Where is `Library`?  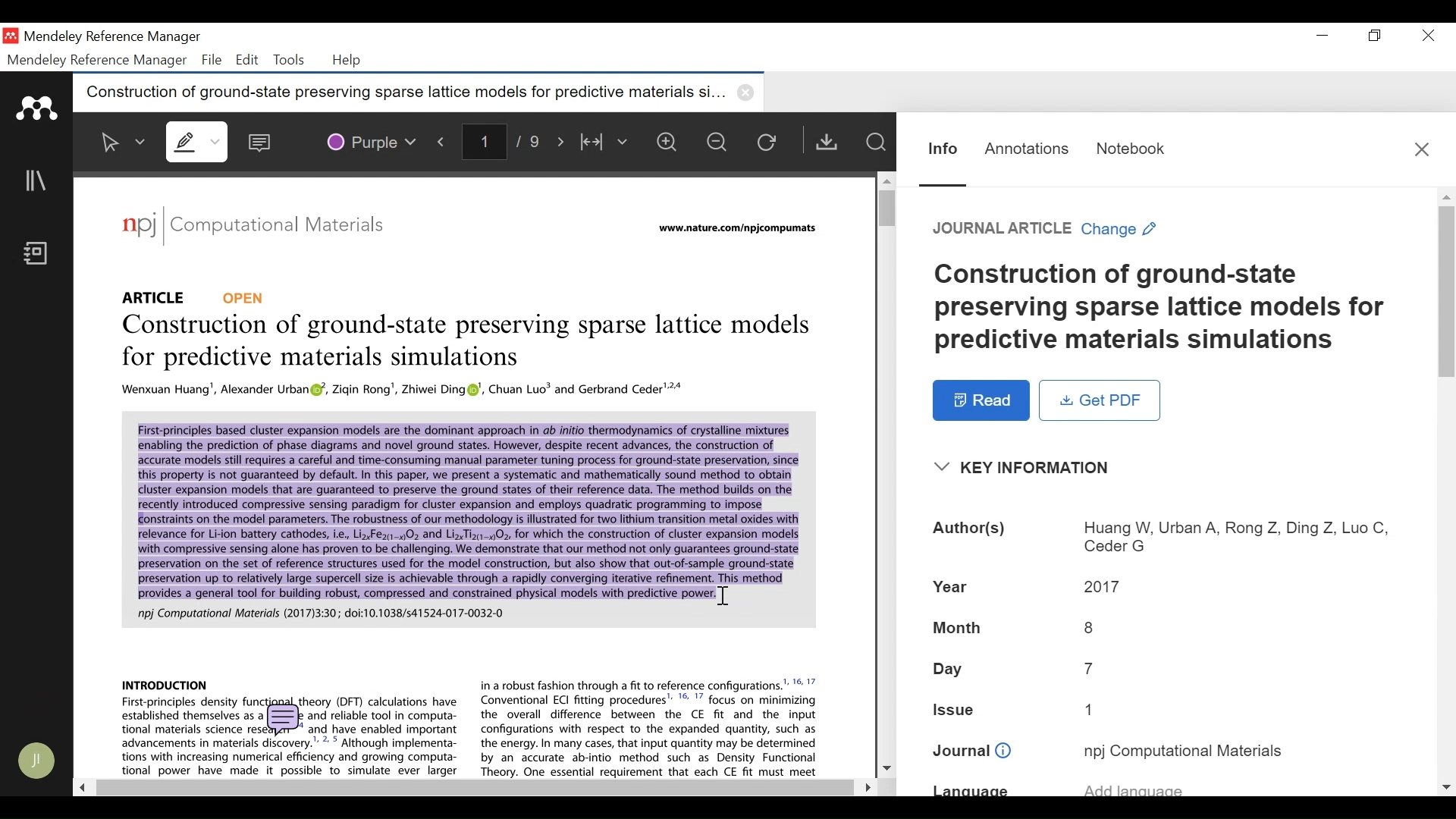
Library is located at coordinates (37, 180).